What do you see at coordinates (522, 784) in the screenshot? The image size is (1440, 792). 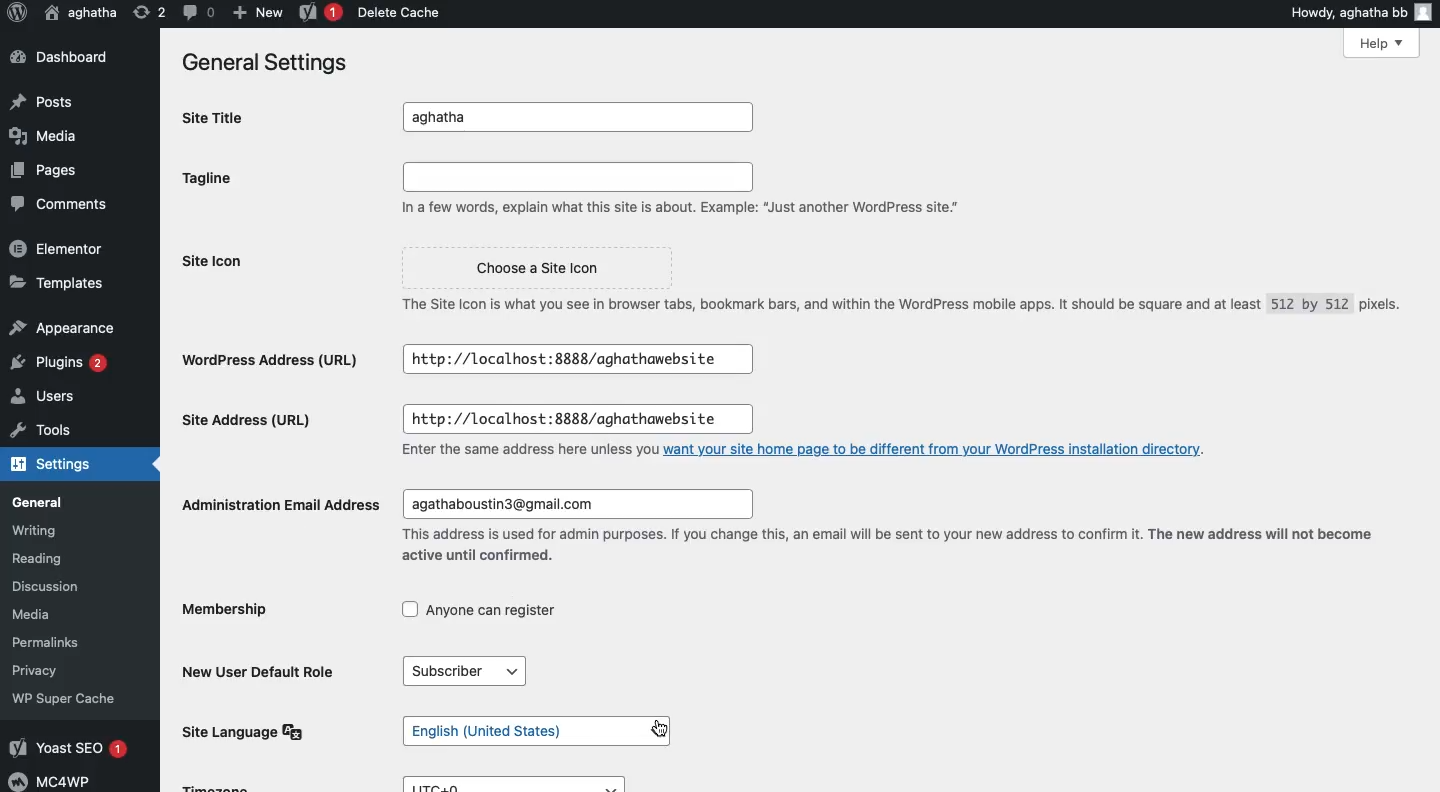 I see `UTC + 0` at bounding box center [522, 784].